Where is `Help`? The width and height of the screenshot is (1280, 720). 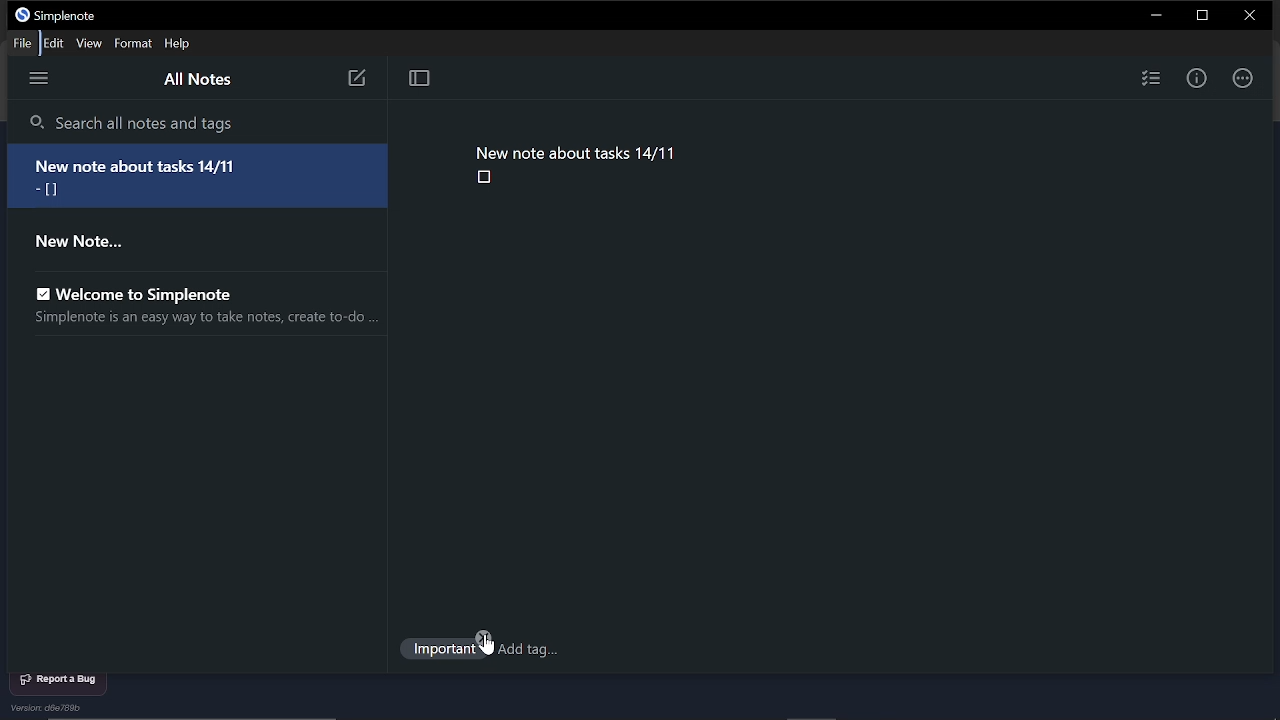 Help is located at coordinates (180, 44).